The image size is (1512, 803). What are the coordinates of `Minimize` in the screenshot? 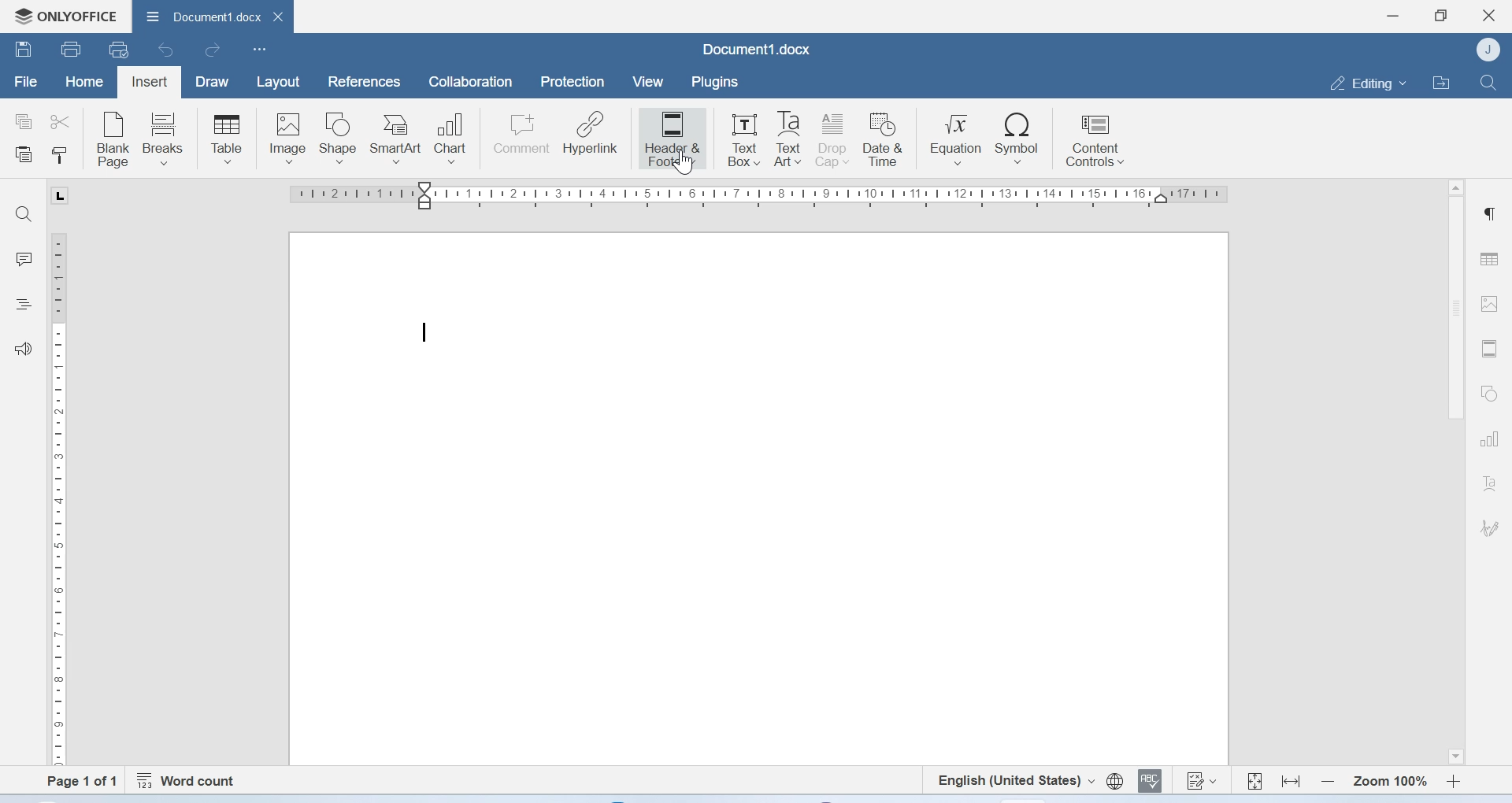 It's located at (1393, 16).